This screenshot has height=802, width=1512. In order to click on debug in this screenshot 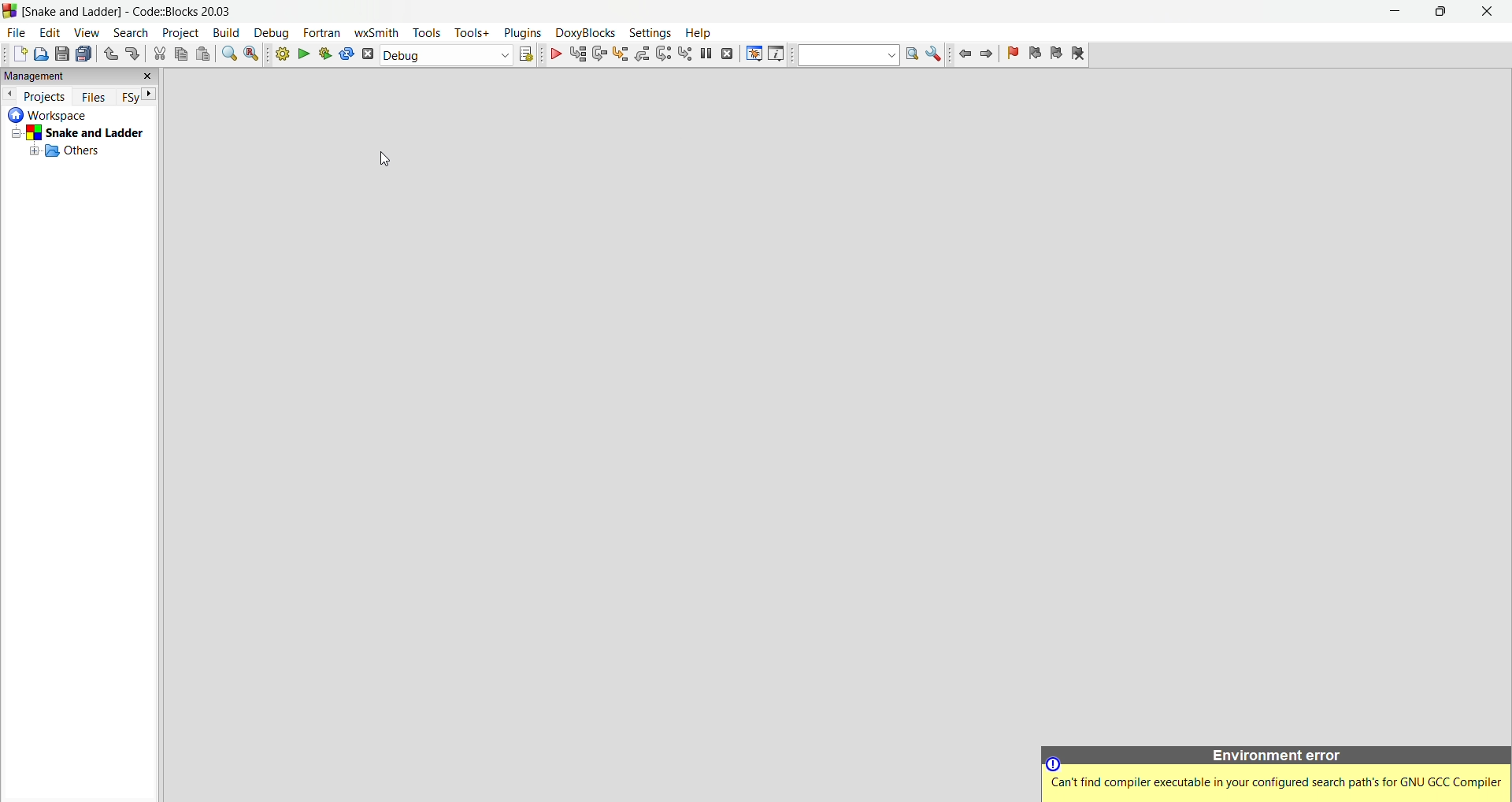, I will do `click(446, 56)`.